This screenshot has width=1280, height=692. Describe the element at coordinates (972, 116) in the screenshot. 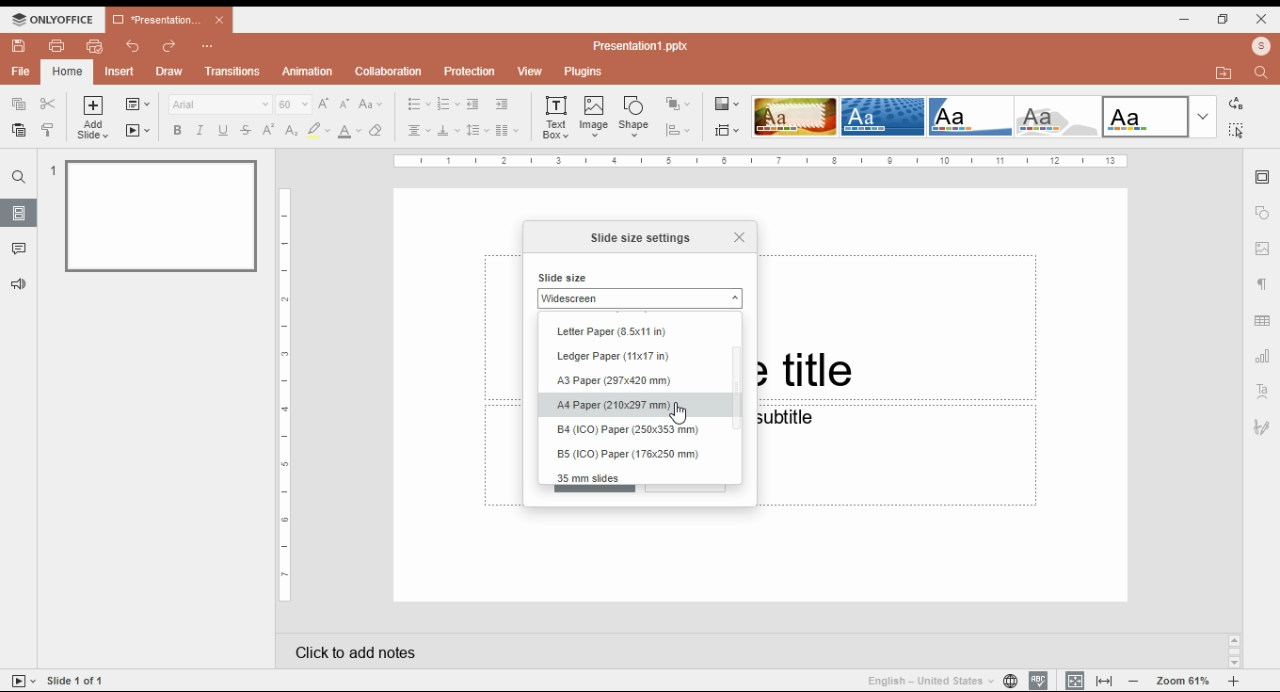

I see `slide them option` at that location.